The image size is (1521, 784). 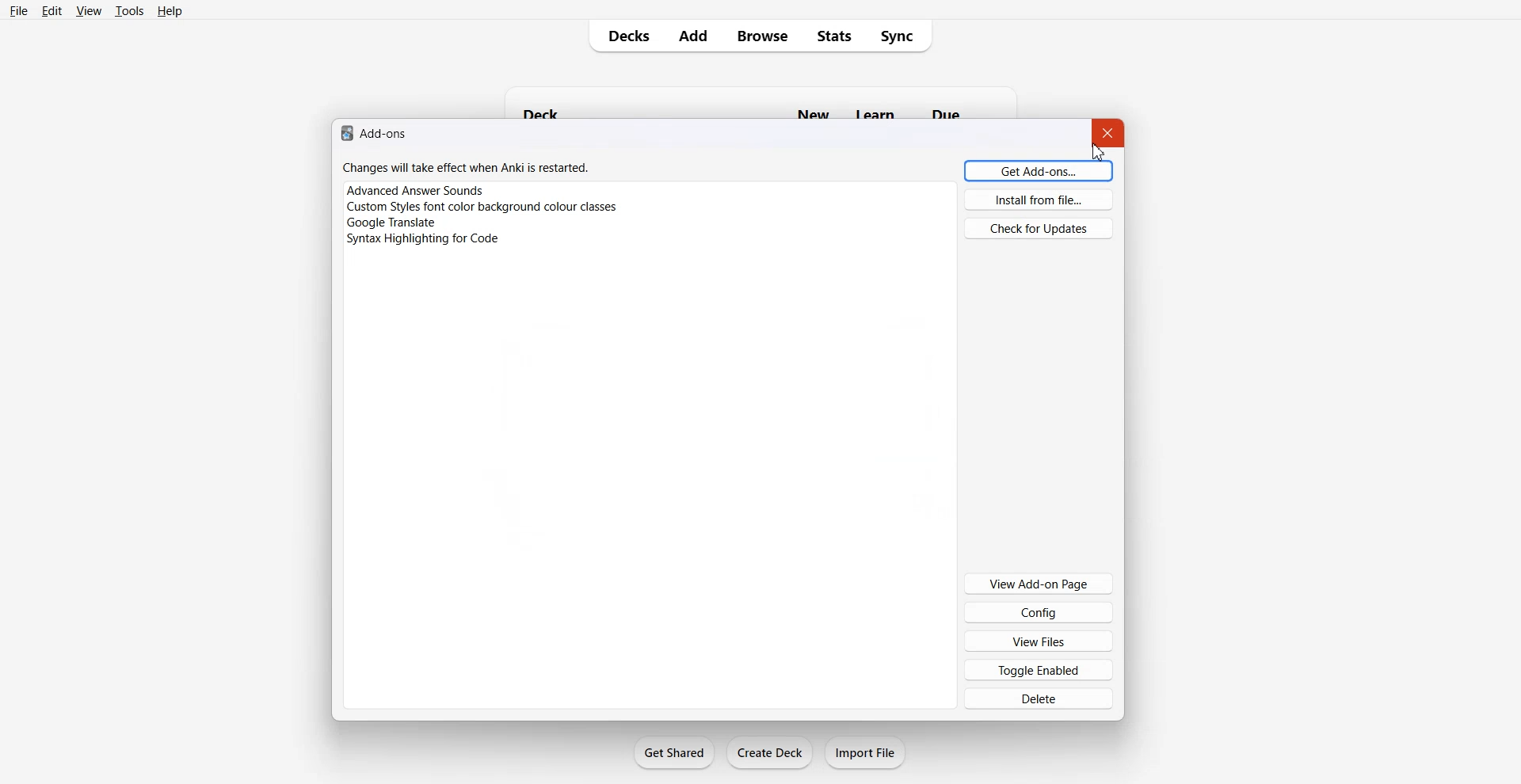 What do you see at coordinates (1039, 698) in the screenshot?
I see `Delete` at bounding box center [1039, 698].